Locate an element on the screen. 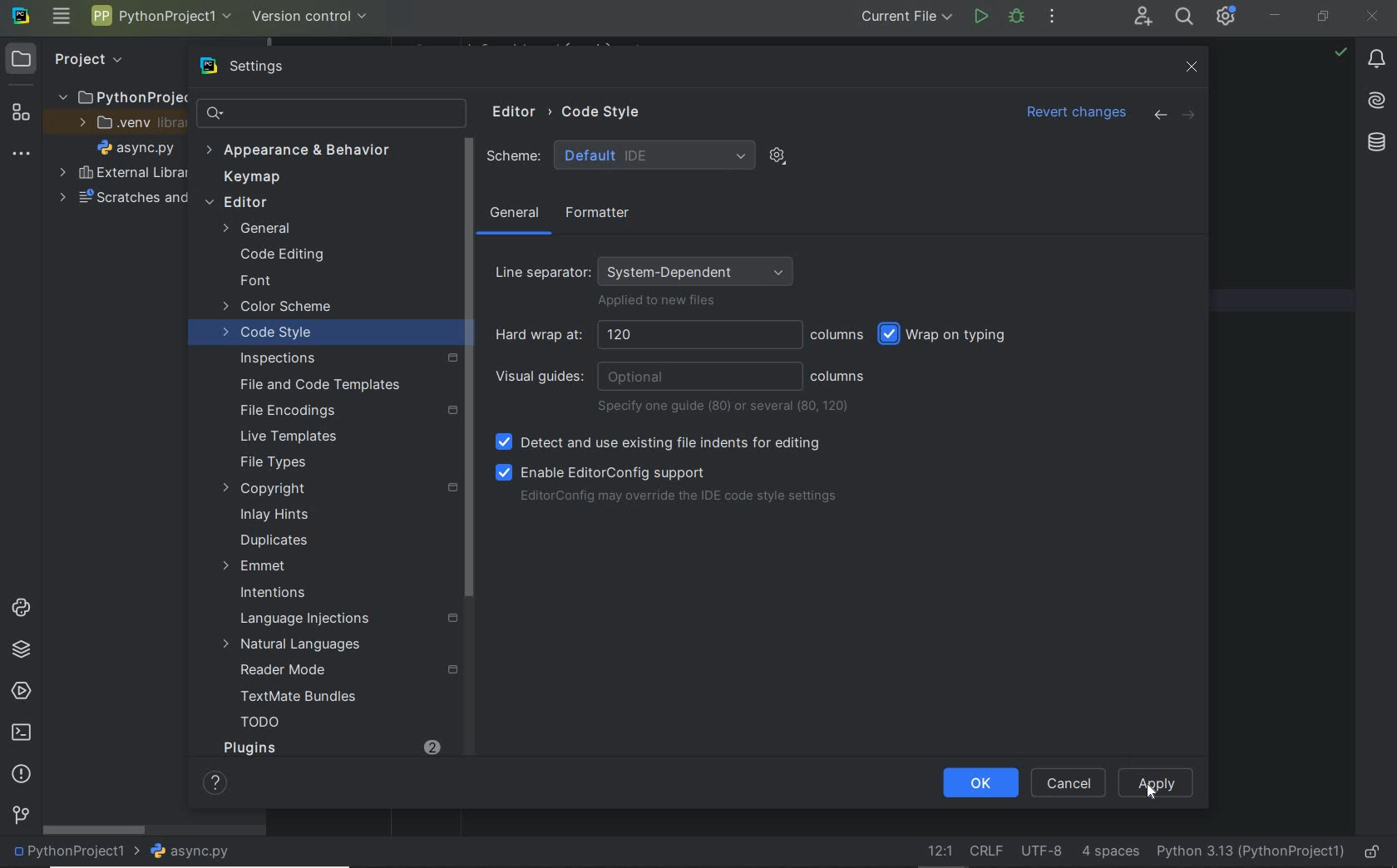 The width and height of the screenshot is (1397, 868). columns is located at coordinates (838, 377).